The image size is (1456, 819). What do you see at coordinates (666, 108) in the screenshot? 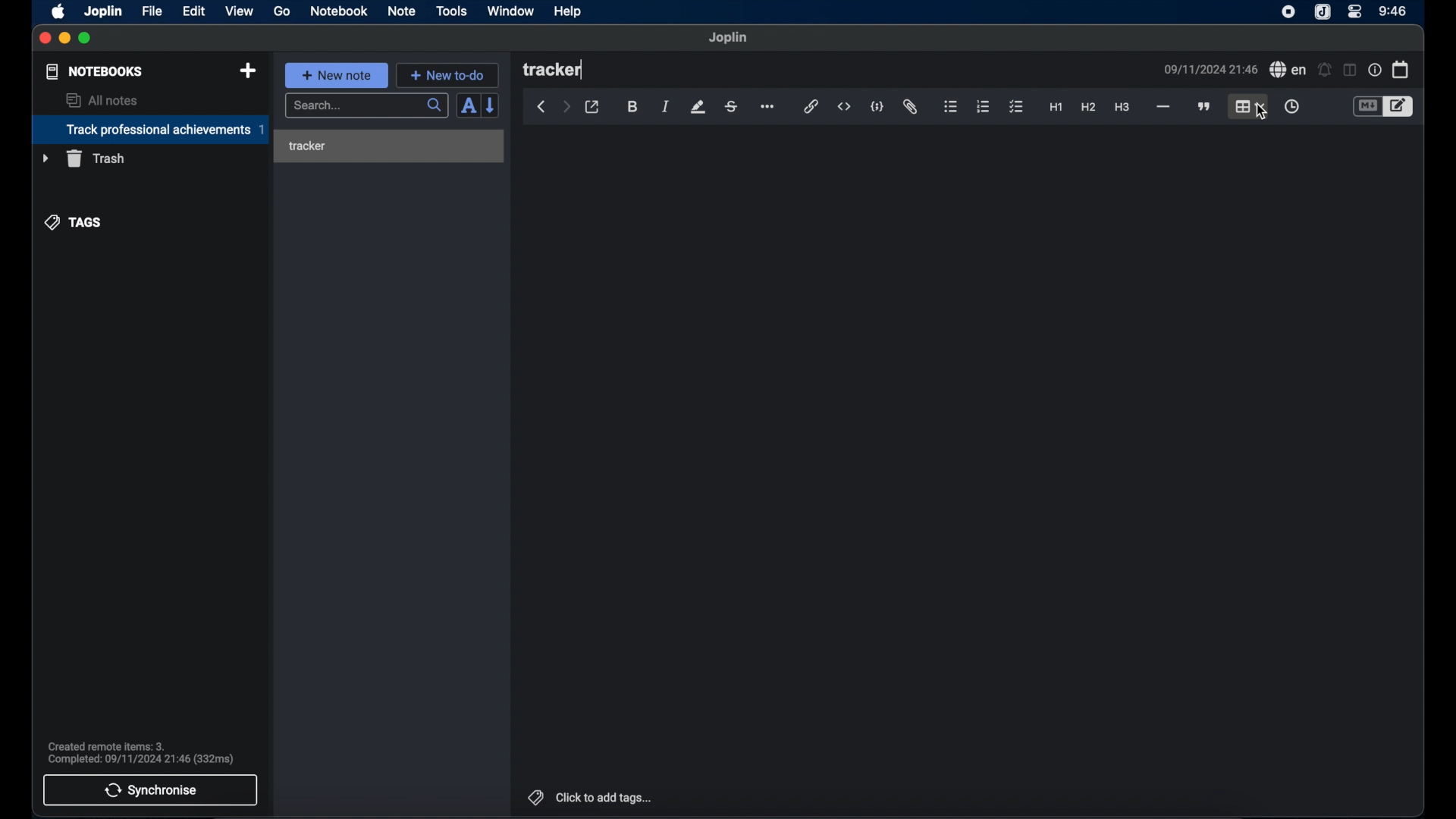
I see `italic` at bounding box center [666, 108].